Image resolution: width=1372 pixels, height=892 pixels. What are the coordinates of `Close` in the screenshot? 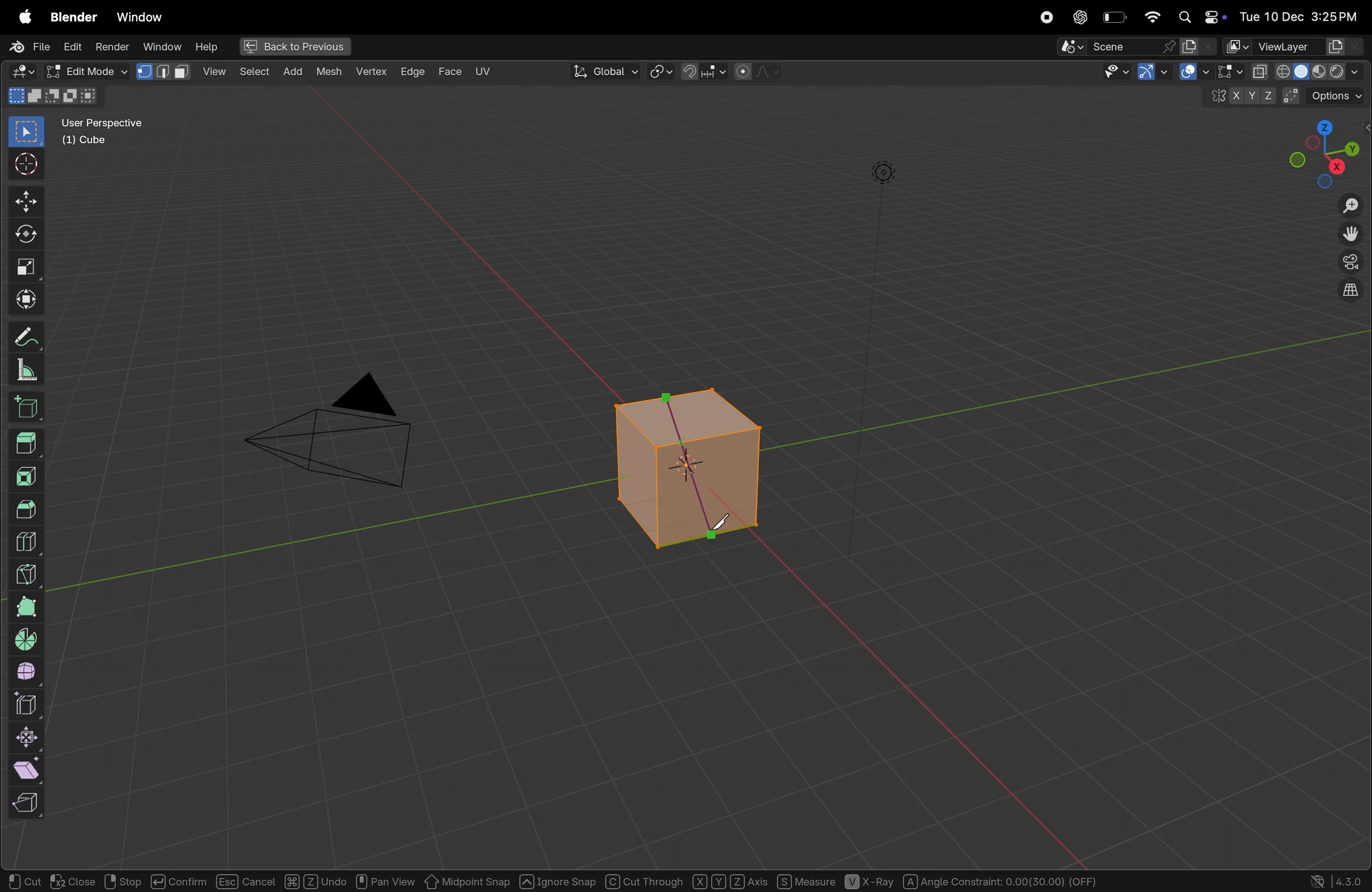 It's located at (73, 882).